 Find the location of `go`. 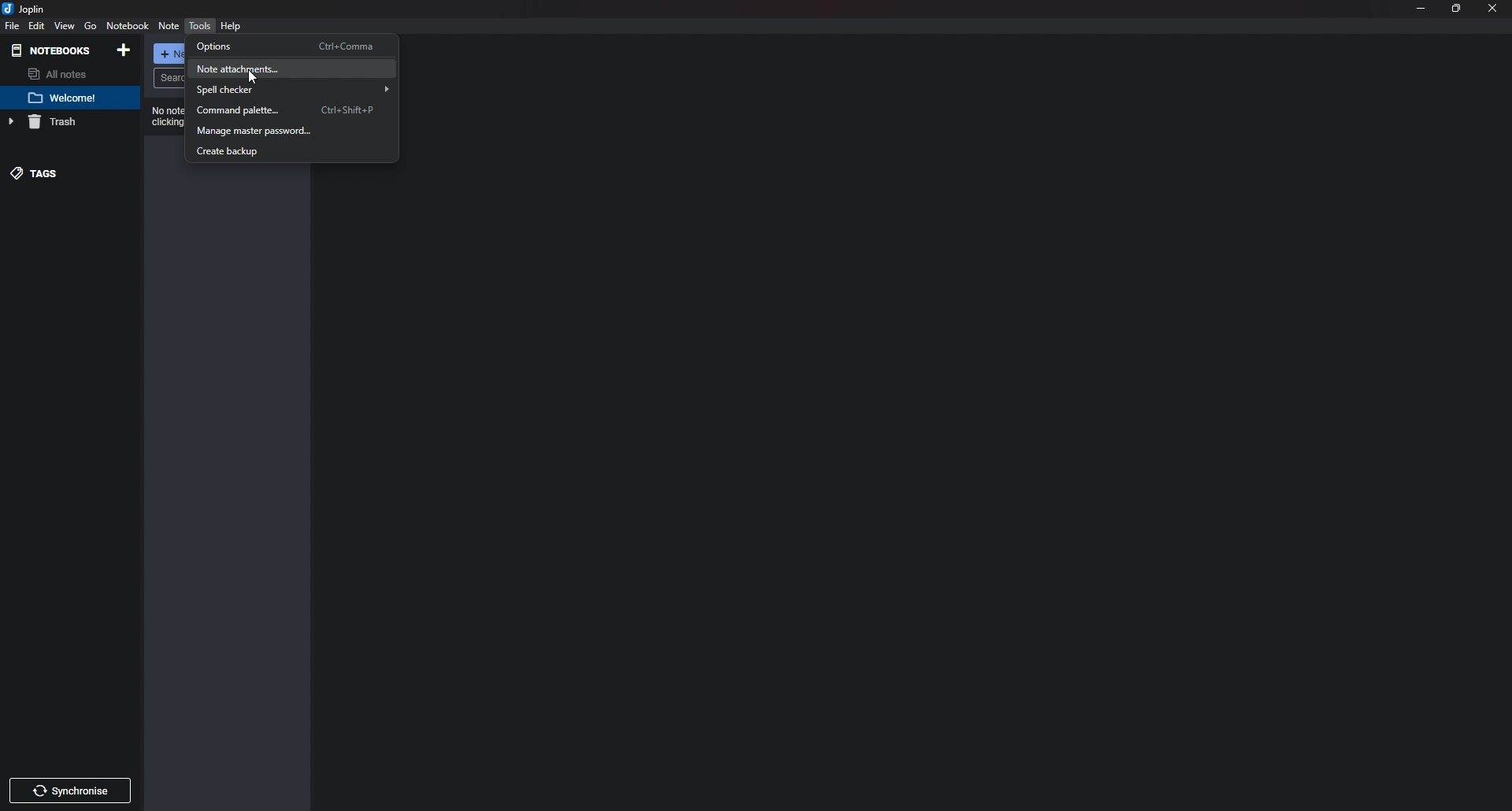

go is located at coordinates (89, 26).